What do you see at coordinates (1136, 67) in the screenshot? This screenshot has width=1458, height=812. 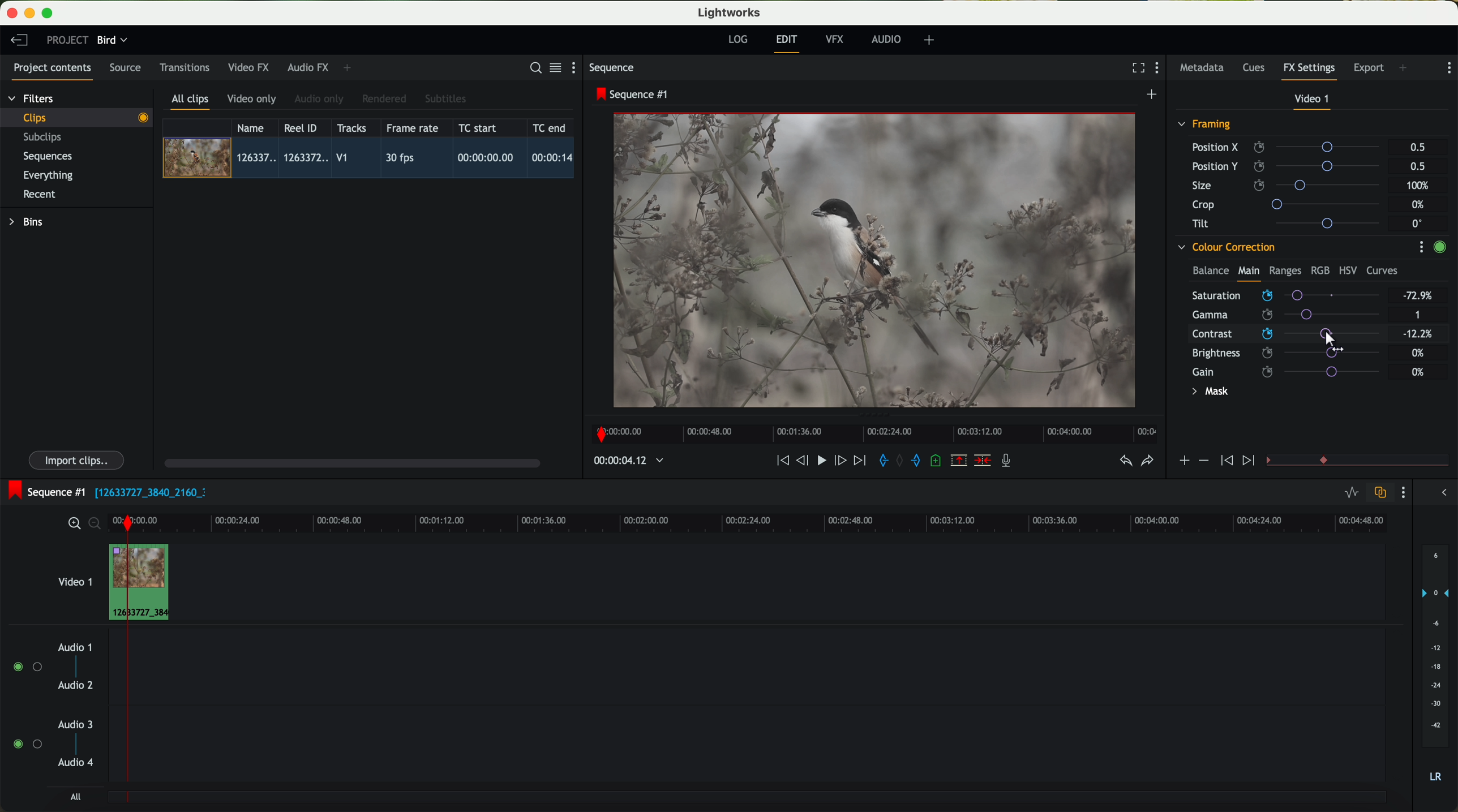 I see `fullscreen` at bounding box center [1136, 67].